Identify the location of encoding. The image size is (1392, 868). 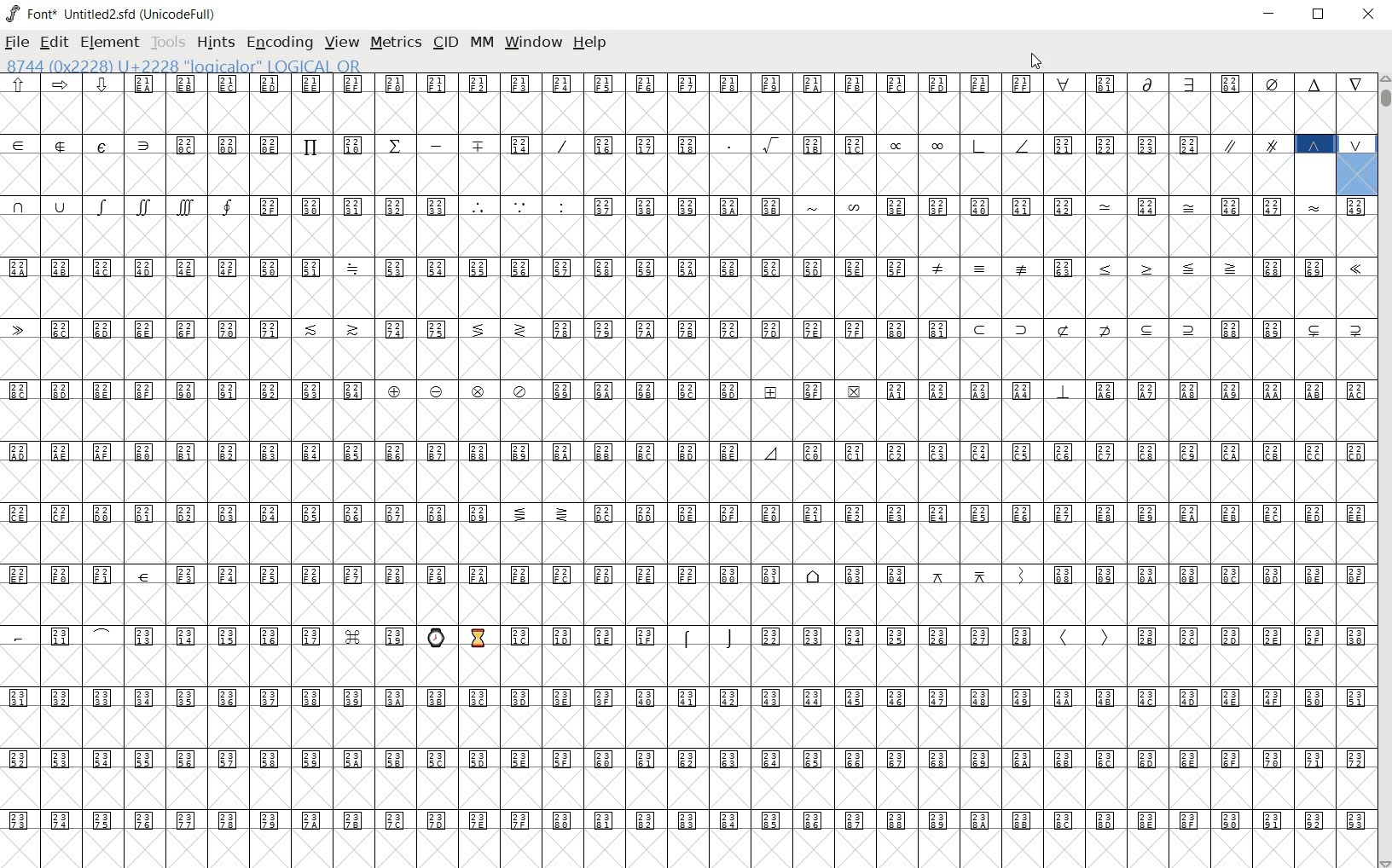
(281, 43).